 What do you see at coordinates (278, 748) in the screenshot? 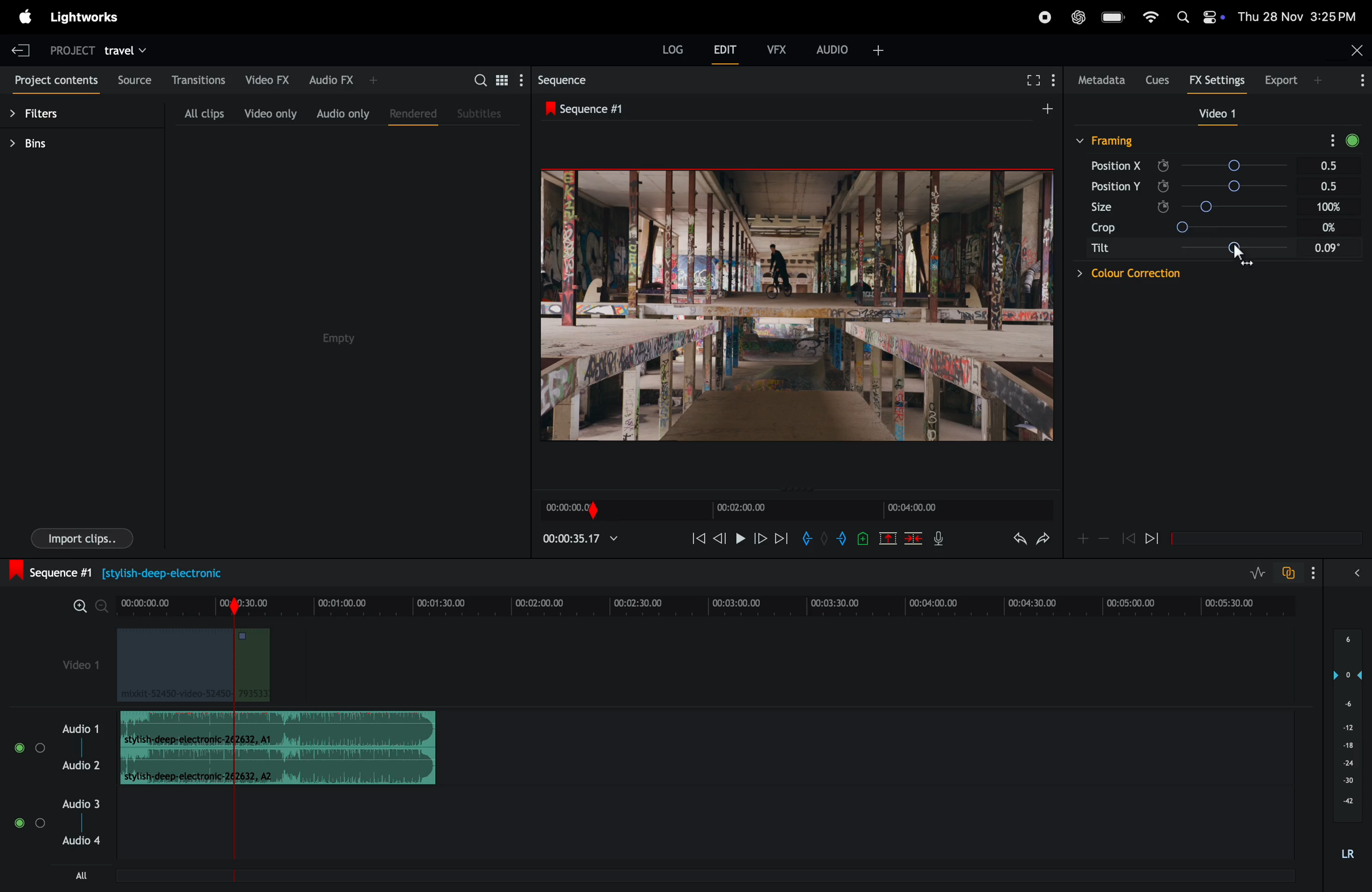
I see `audio clips` at bounding box center [278, 748].